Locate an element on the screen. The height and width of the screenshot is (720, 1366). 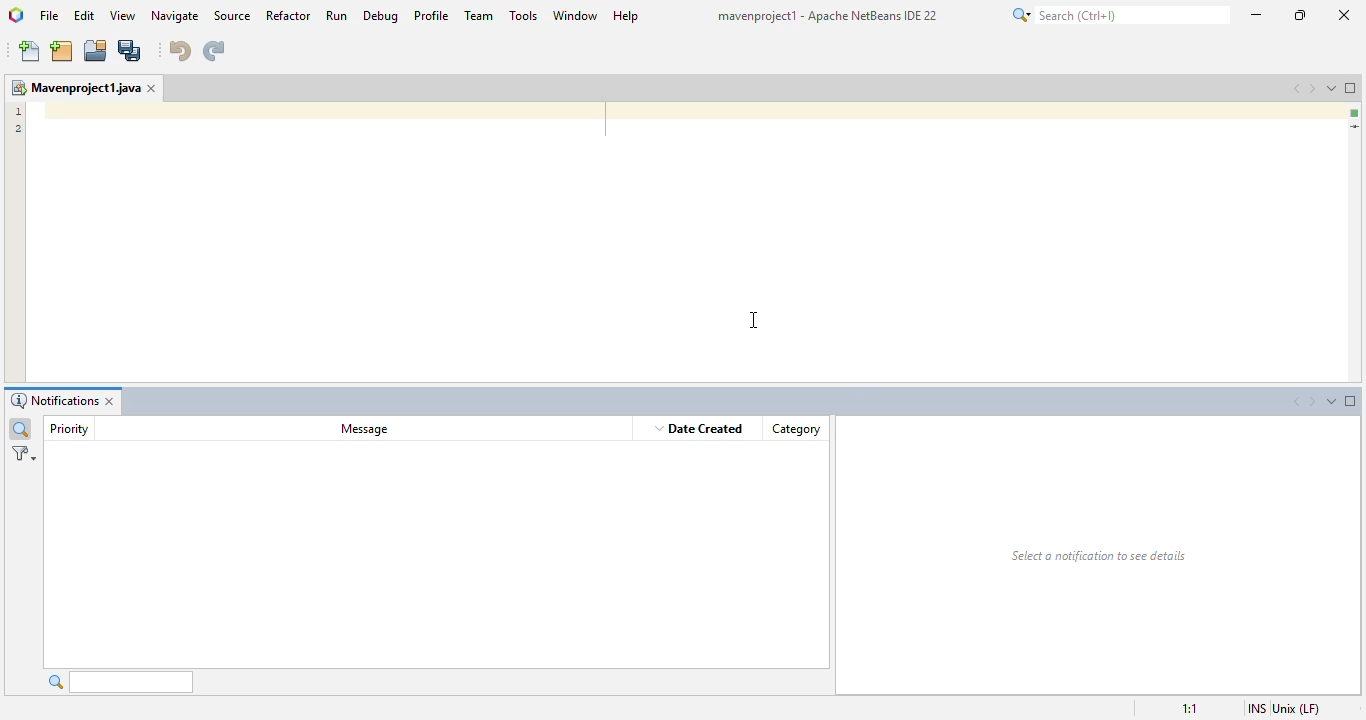
open project is located at coordinates (96, 50).